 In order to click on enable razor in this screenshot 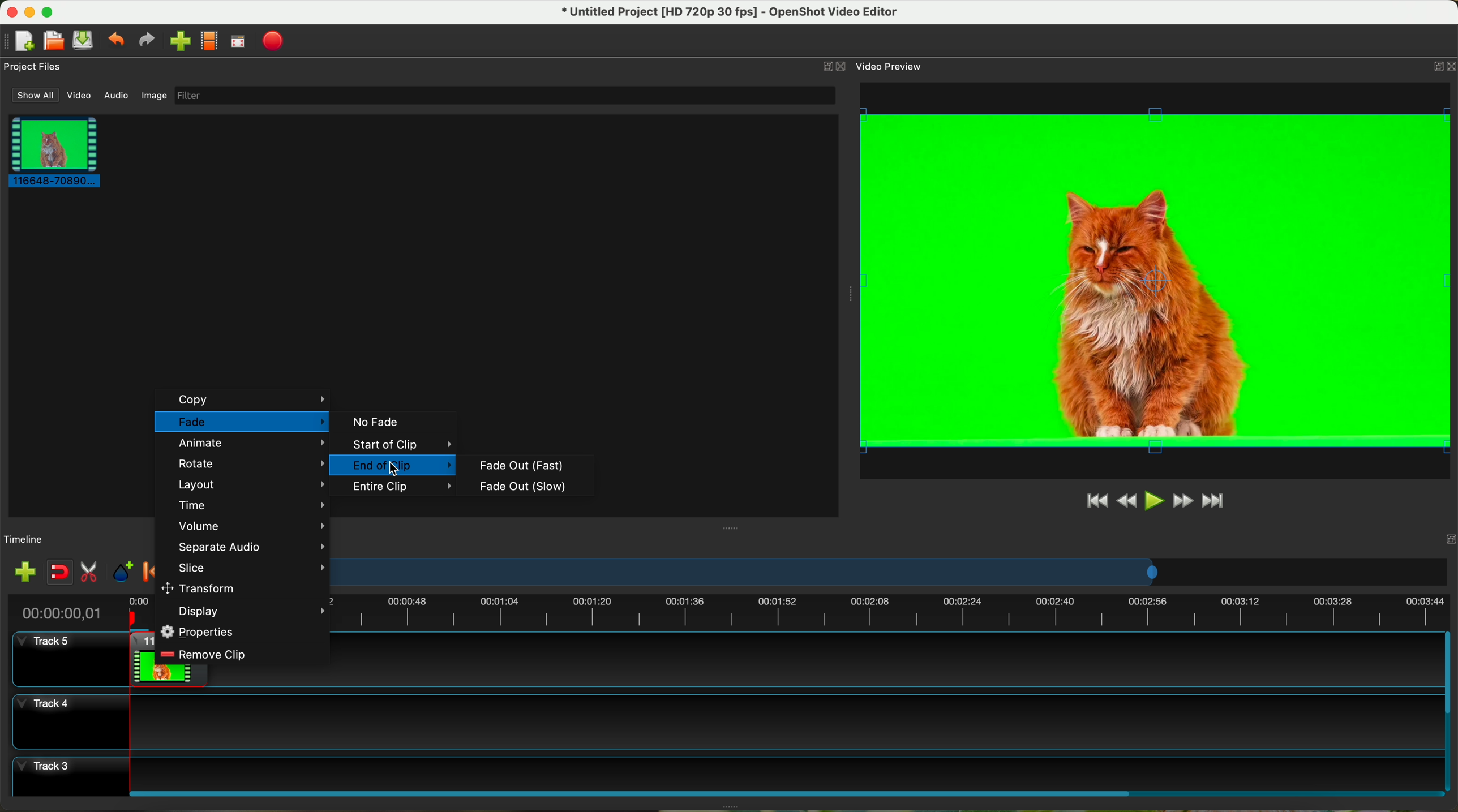, I will do `click(89, 573)`.